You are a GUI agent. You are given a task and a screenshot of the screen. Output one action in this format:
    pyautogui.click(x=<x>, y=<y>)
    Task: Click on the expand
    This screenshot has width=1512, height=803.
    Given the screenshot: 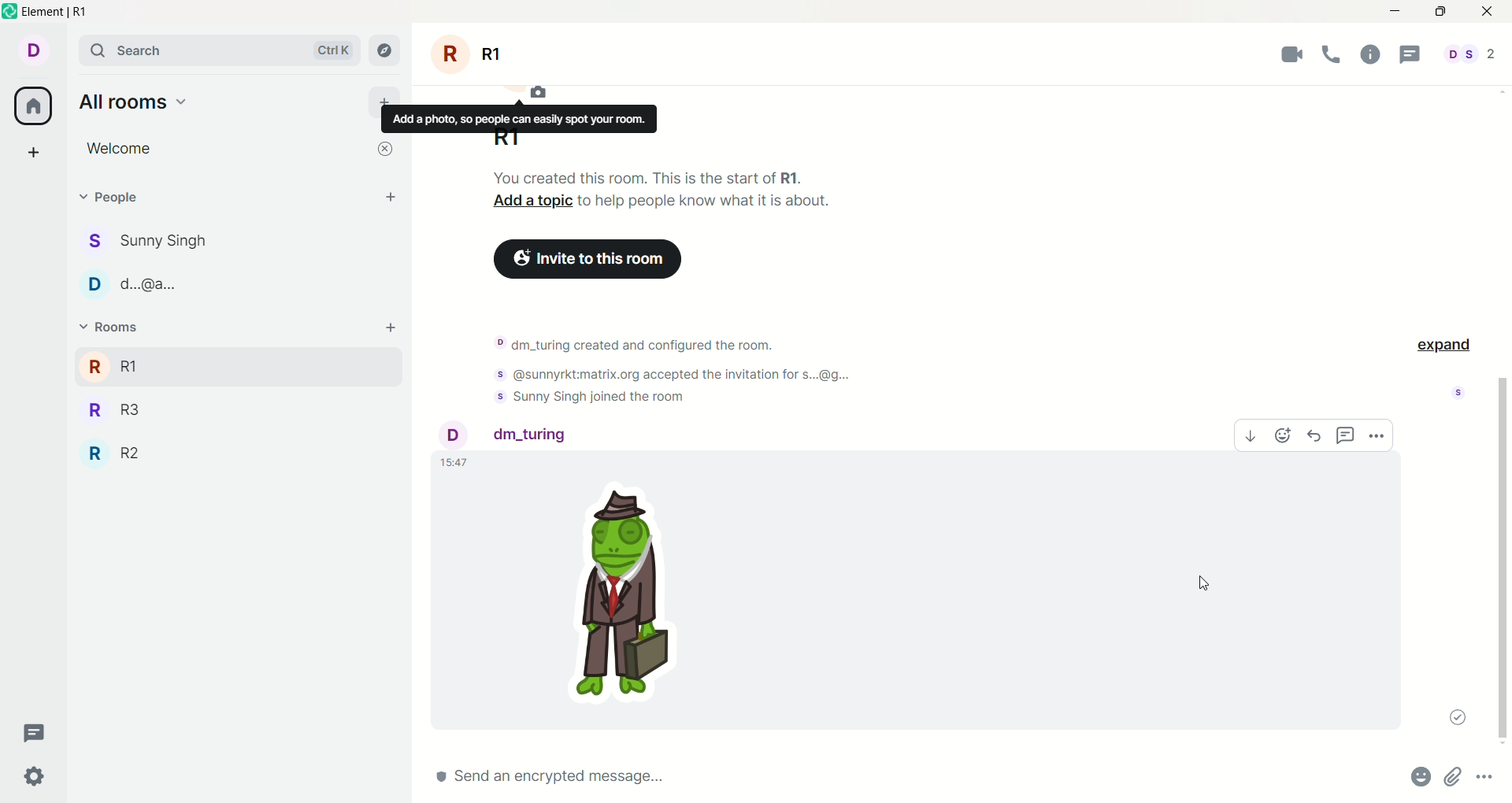 What is the action you would take?
    pyautogui.click(x=1443, y=346)
    